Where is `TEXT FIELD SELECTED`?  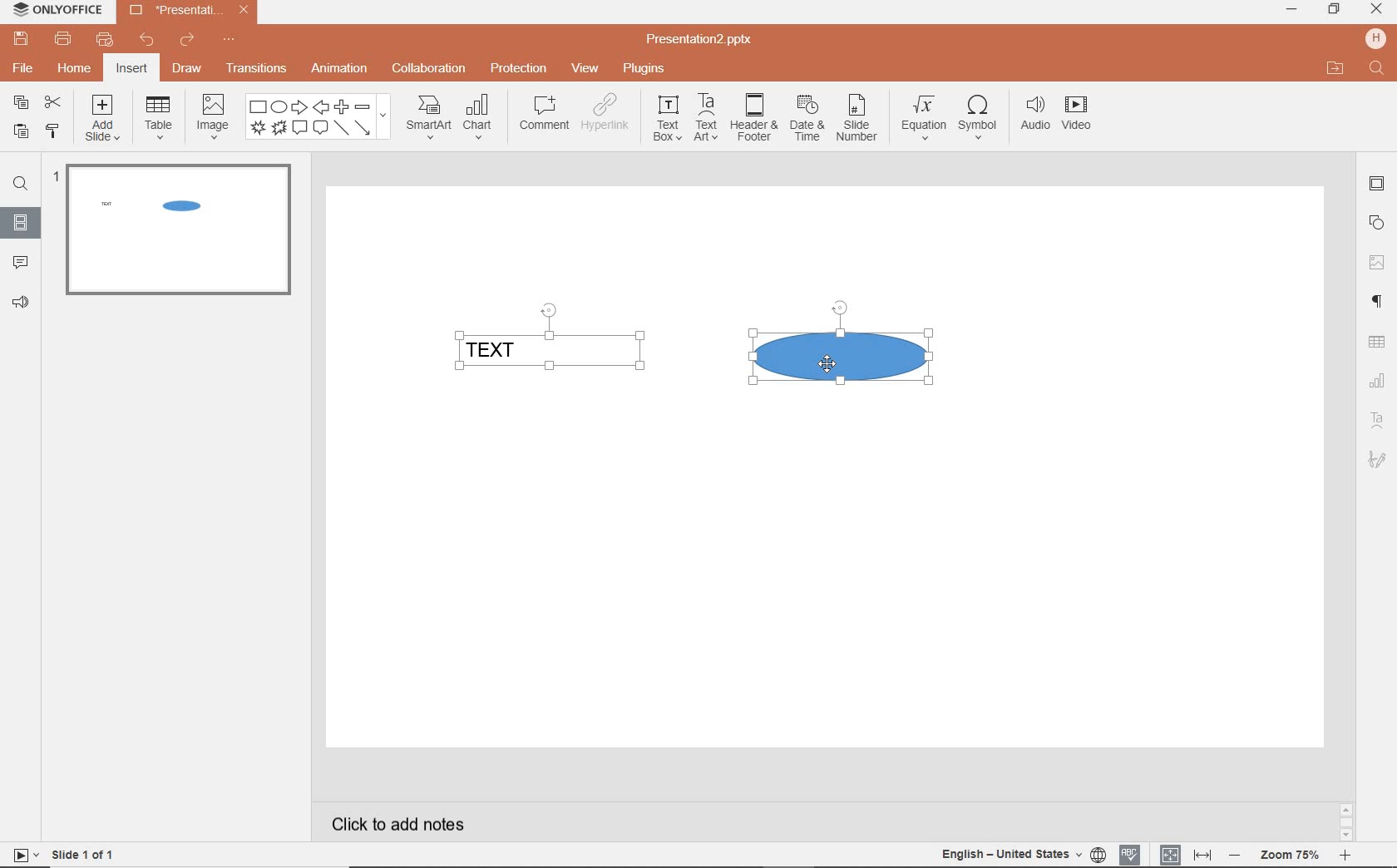 TEXT FIELD SELECTED is located at coordinates (550, 340).